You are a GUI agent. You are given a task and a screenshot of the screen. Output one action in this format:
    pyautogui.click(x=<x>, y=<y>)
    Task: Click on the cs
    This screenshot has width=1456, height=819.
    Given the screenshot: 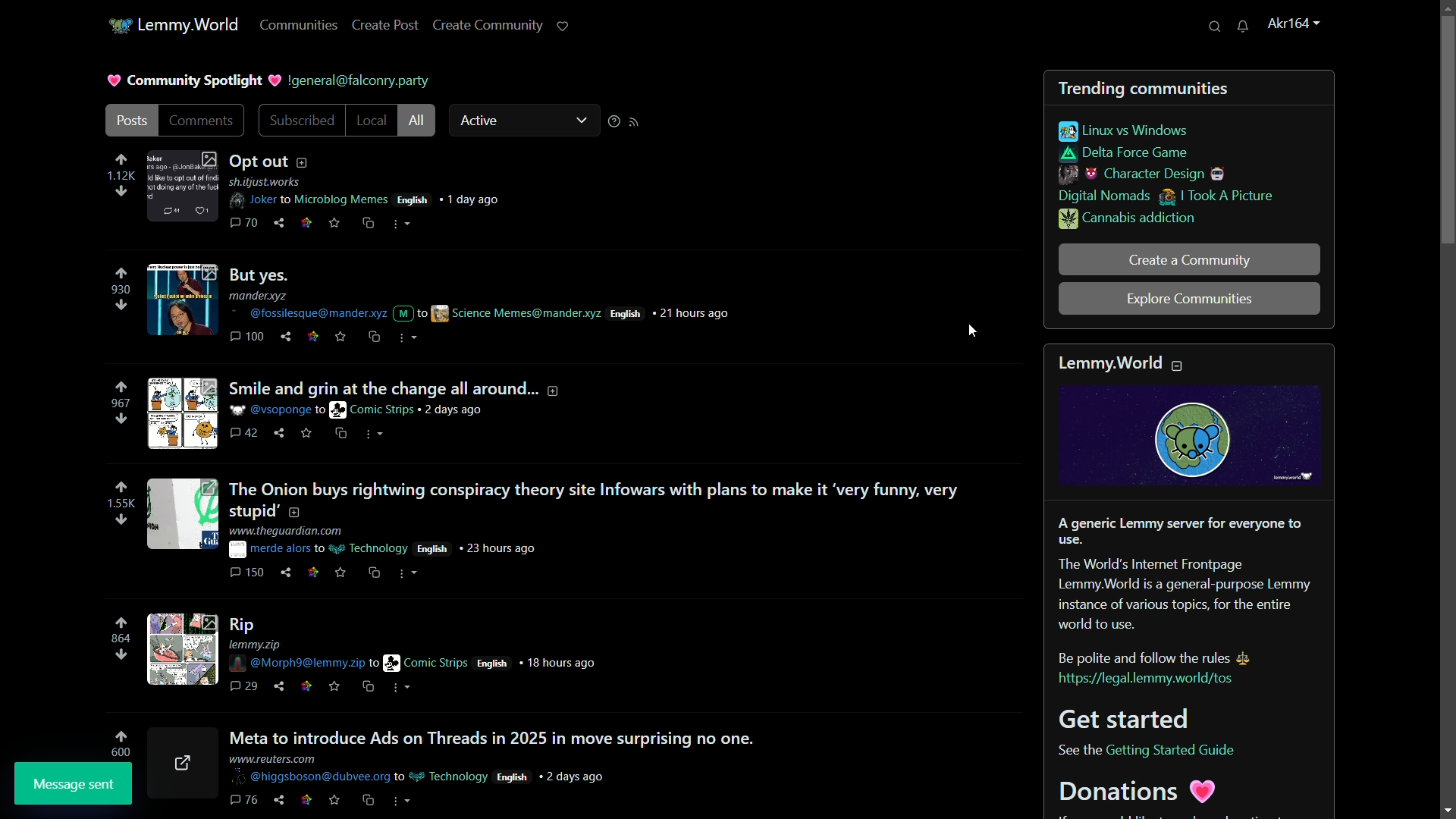 What is the action you would take?
    pyautogui.click(x=377, y=571)
    